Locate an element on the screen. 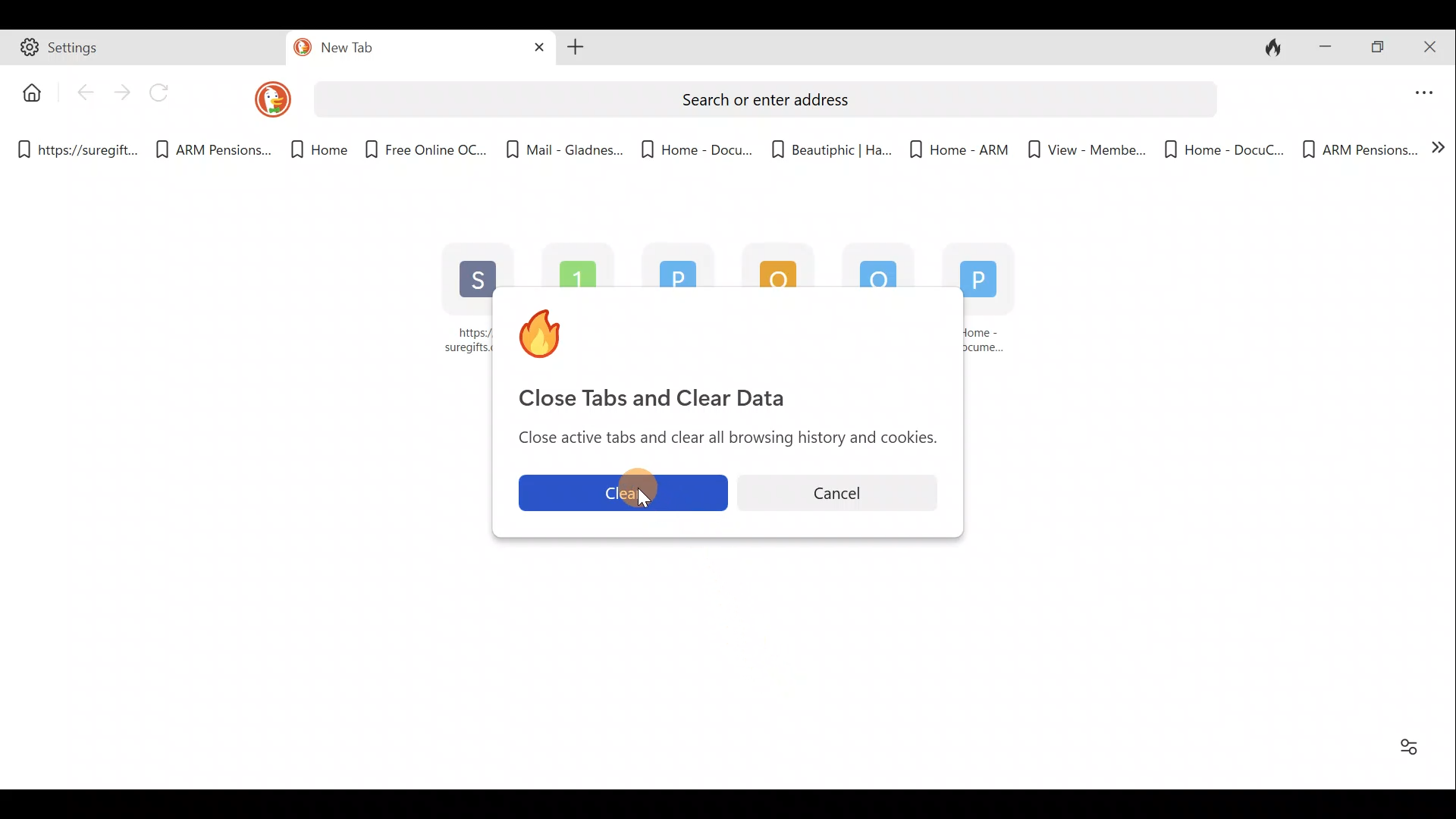 The height and width of the screenshot is (819, 1456). Mail - Gladnes... is located at coordinates (564, 144).